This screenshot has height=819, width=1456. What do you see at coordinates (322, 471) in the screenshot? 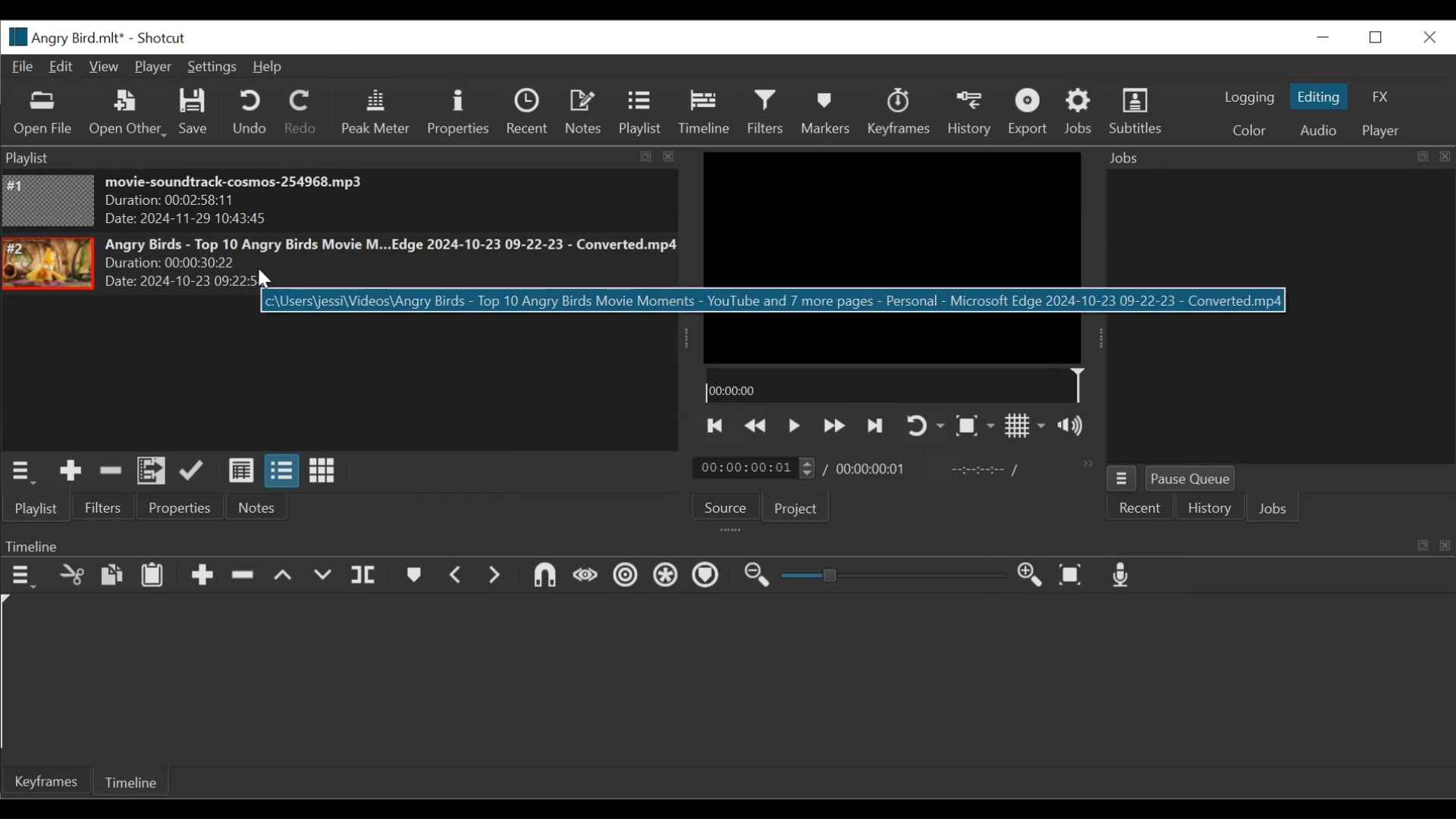
I see `View as icons` at bounding box center [322, 471].